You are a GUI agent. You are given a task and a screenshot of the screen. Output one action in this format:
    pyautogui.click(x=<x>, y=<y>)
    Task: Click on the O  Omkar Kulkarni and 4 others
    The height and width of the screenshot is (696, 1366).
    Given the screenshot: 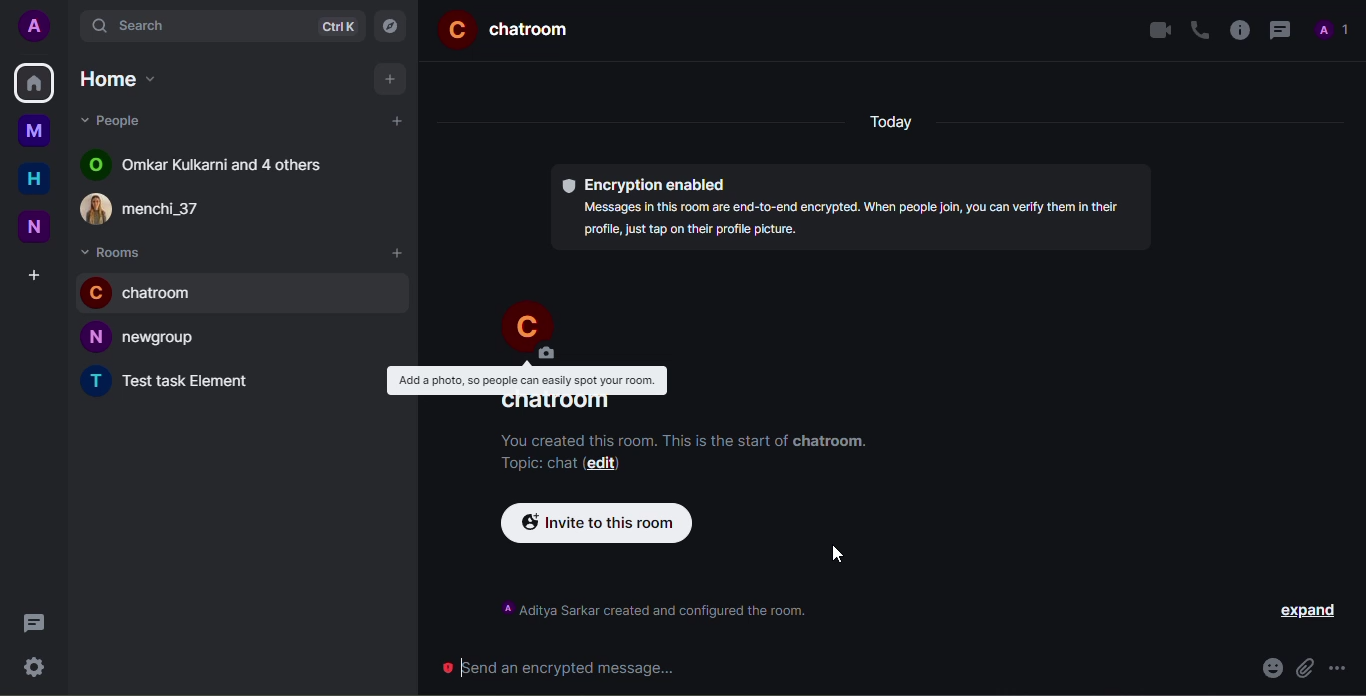 What is the action you would take?
    pyautogui.click(x=216, y=165)
    